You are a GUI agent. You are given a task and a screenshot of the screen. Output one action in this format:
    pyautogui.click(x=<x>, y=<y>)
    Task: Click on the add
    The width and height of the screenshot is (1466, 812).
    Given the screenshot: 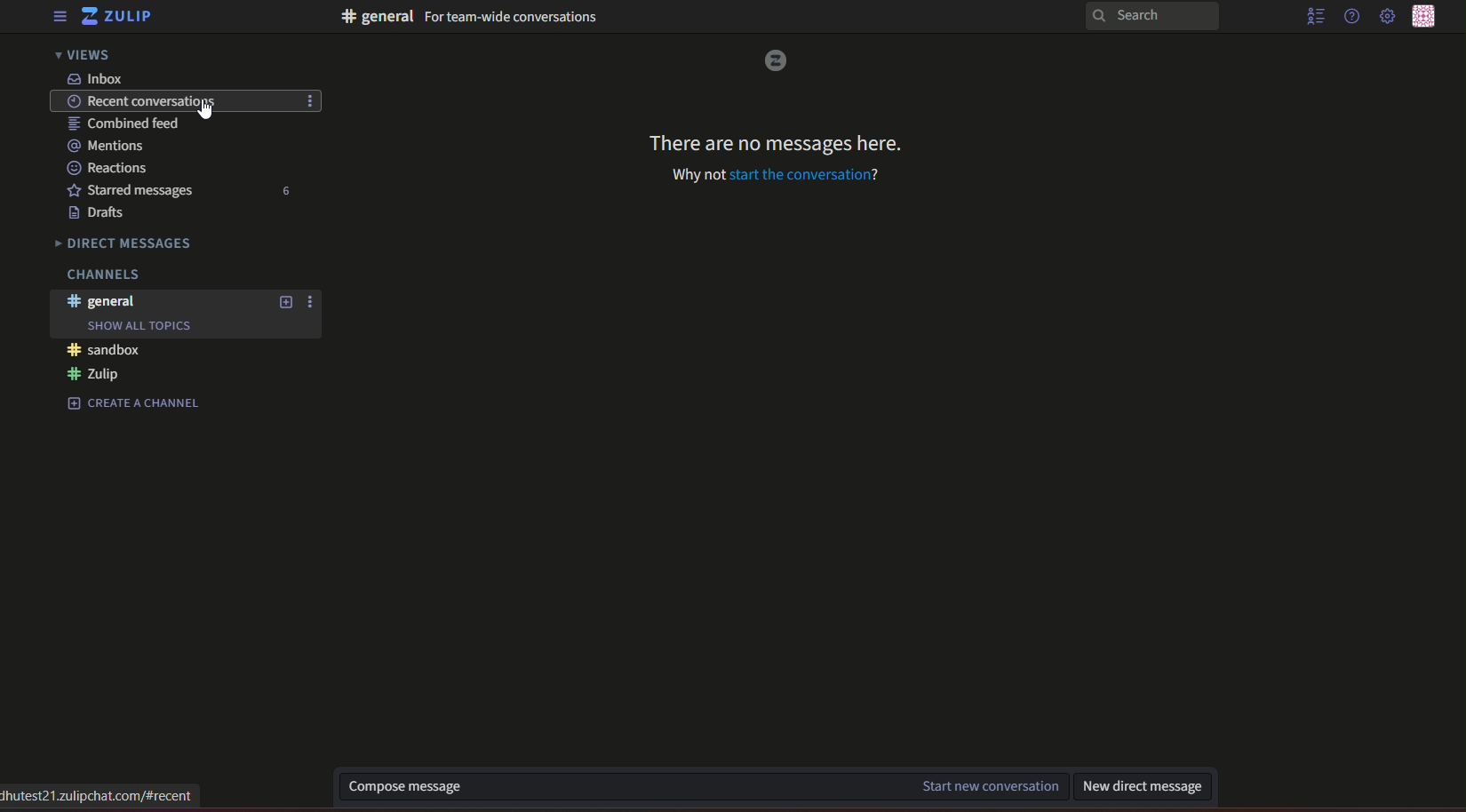 What is the action you would take?
    pyautogui.click(x=283, y=303)
    